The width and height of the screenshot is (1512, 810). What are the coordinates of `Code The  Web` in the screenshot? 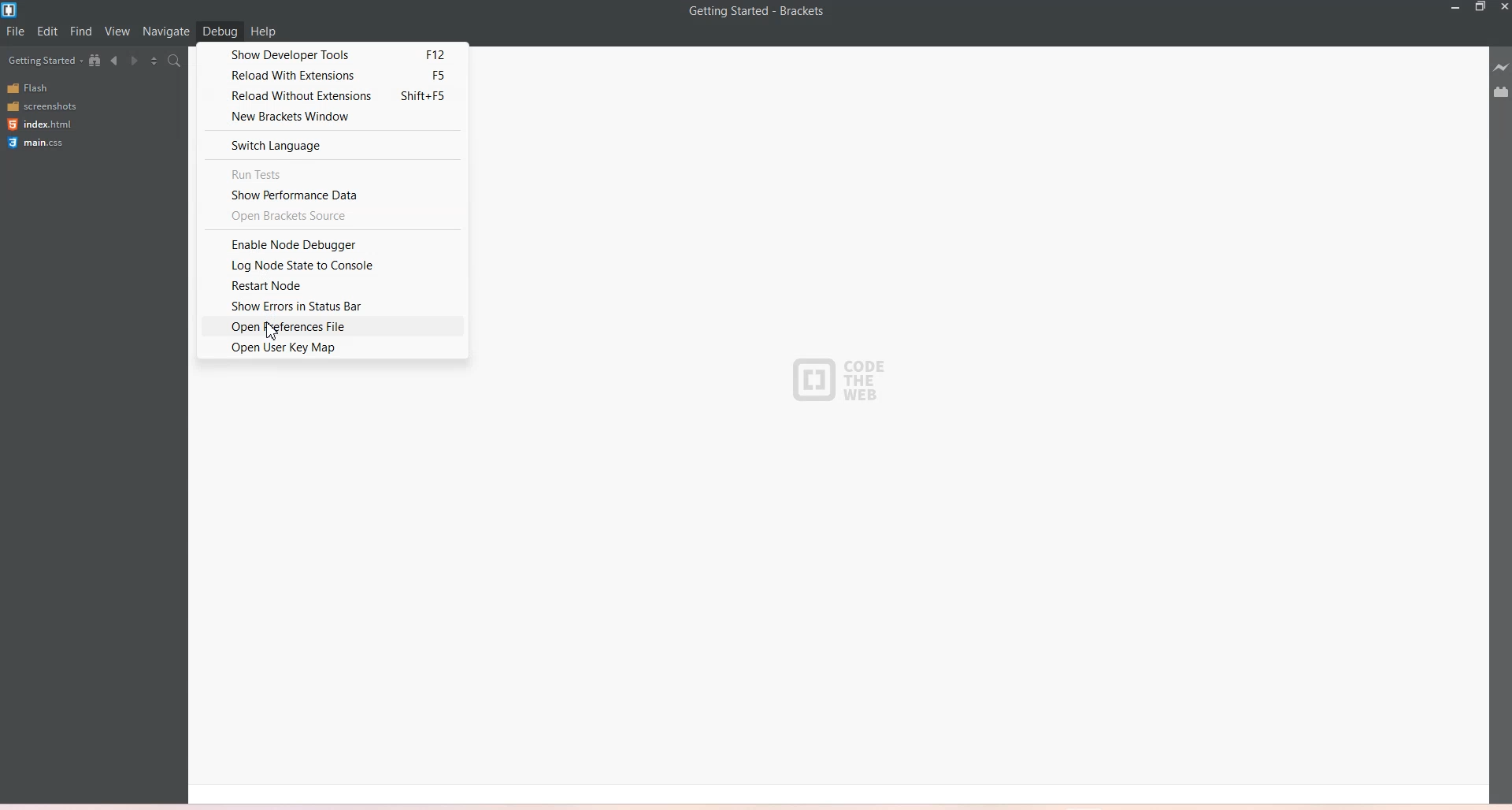 It's located at (845, 382).